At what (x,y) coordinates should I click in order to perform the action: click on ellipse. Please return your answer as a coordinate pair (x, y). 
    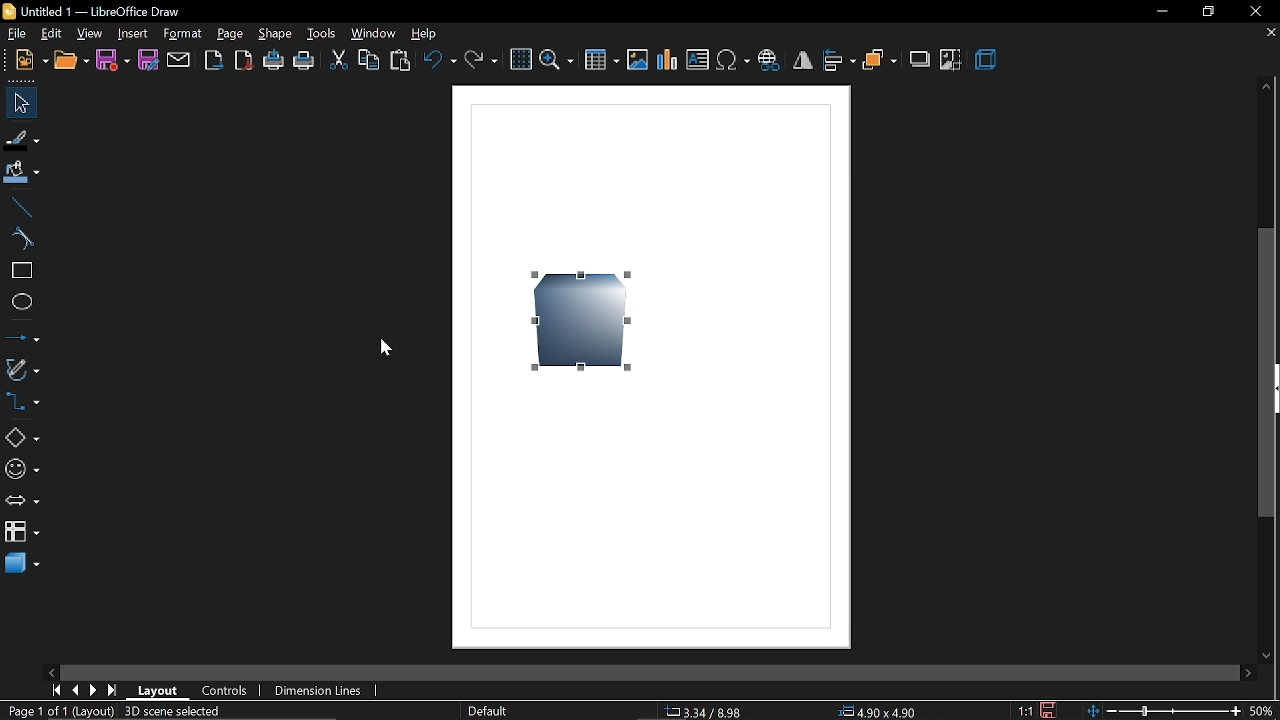
    Looking at the image, I should click on (23, 304).